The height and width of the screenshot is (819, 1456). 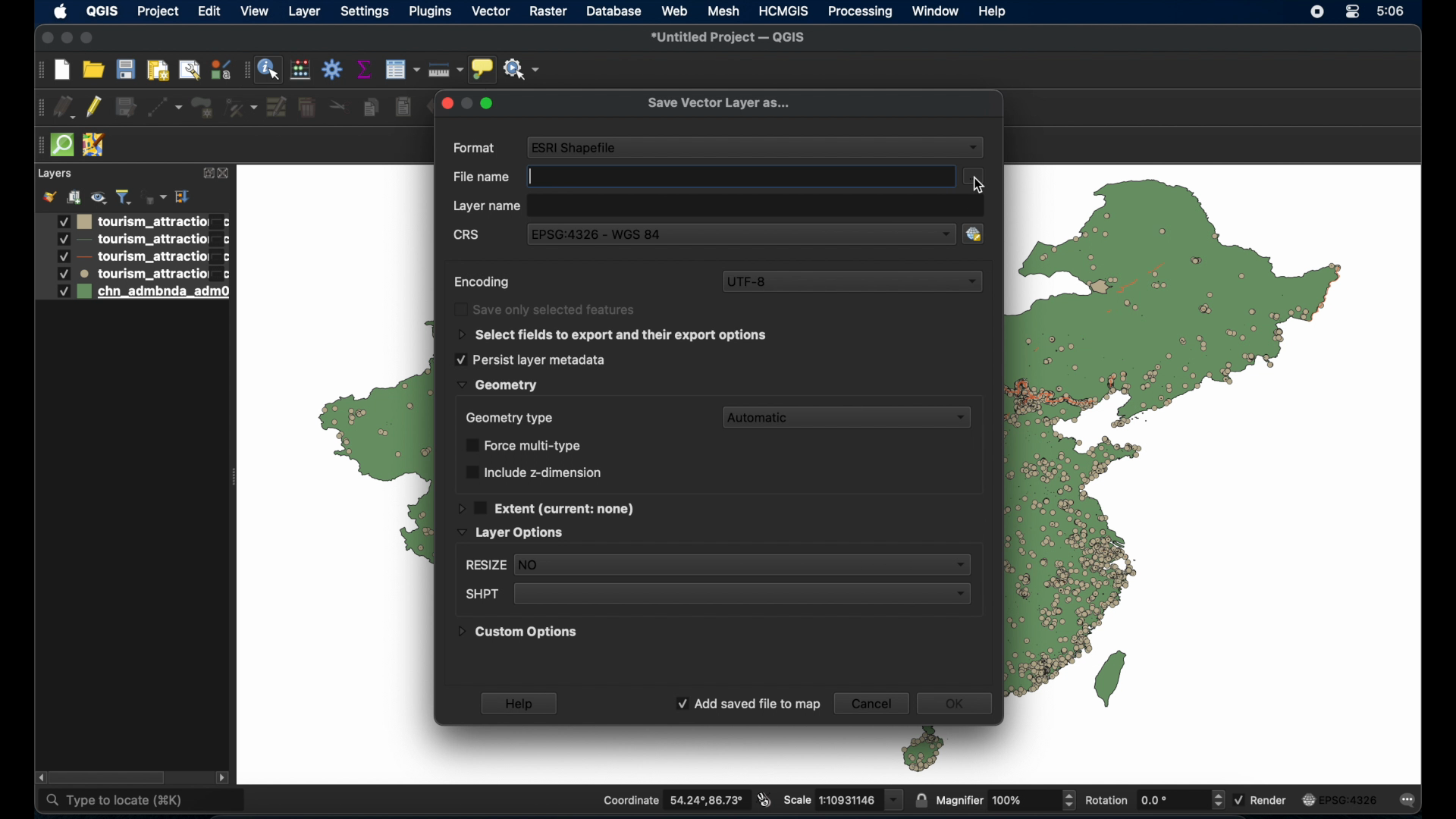 I want to click on rotation, so click(x=1153, y=799).